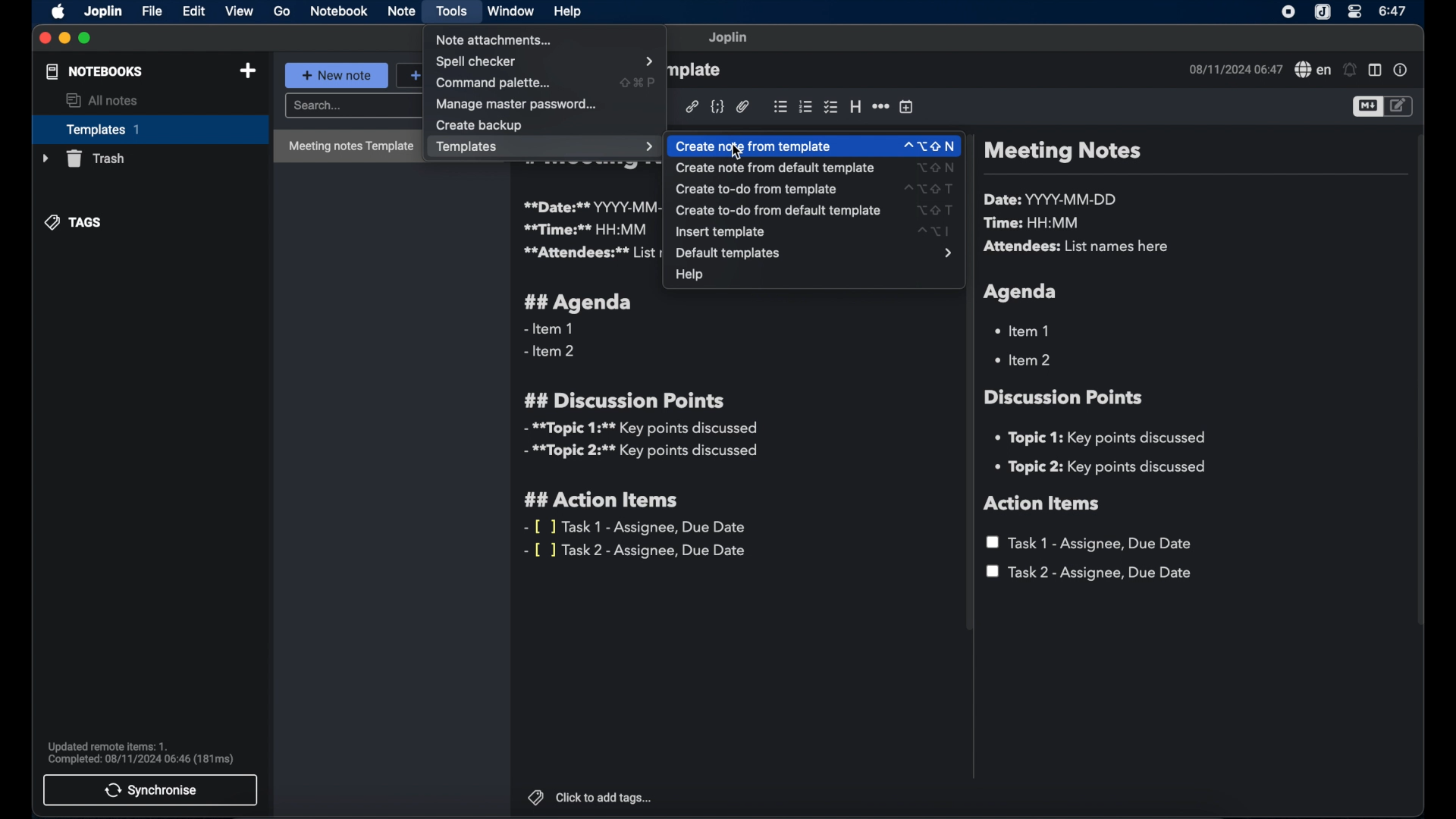 The width and height of the screenshot is (1456, 819). What do you see at coordinates (1035, 224) in the screenshot?
I see `time: HH:MM` at bounding box center [1035, 224].